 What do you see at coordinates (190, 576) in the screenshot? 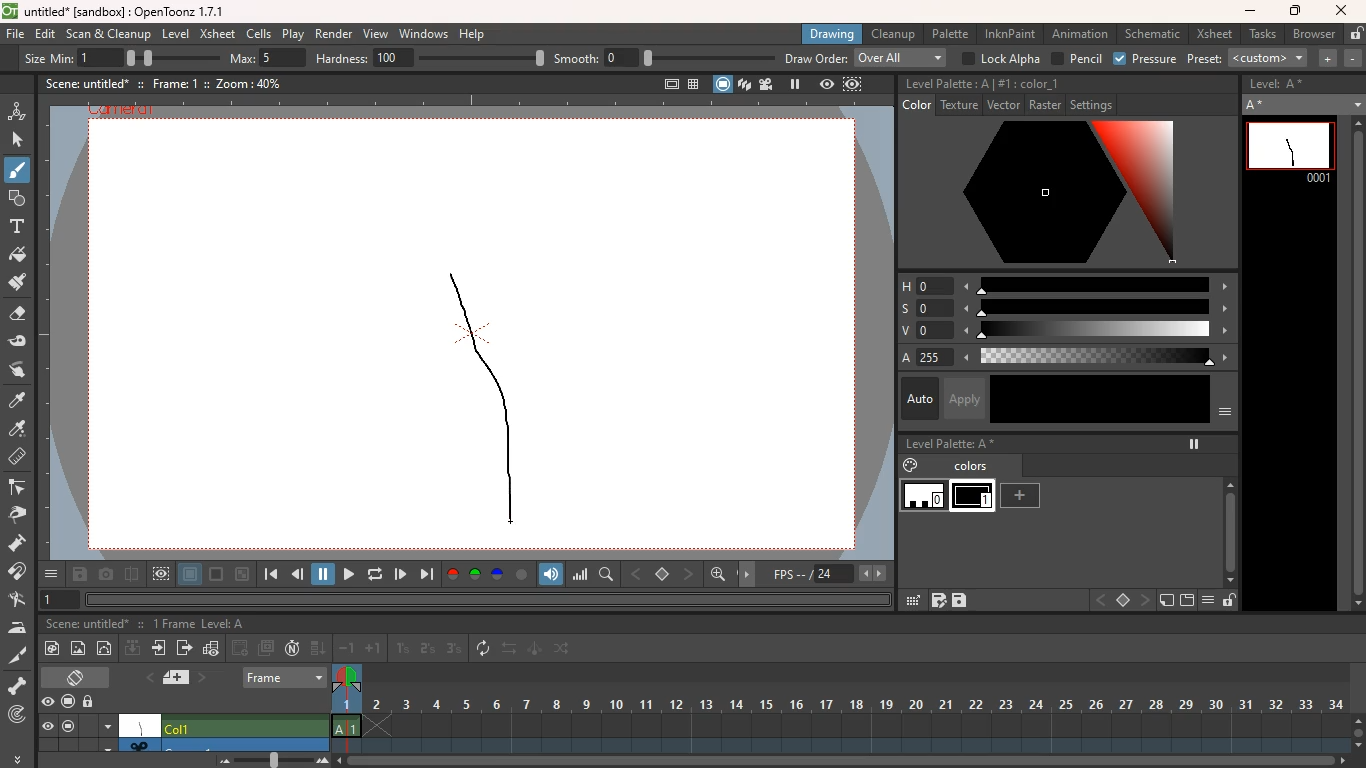
I see `layer` at bounding box center [190, 576].